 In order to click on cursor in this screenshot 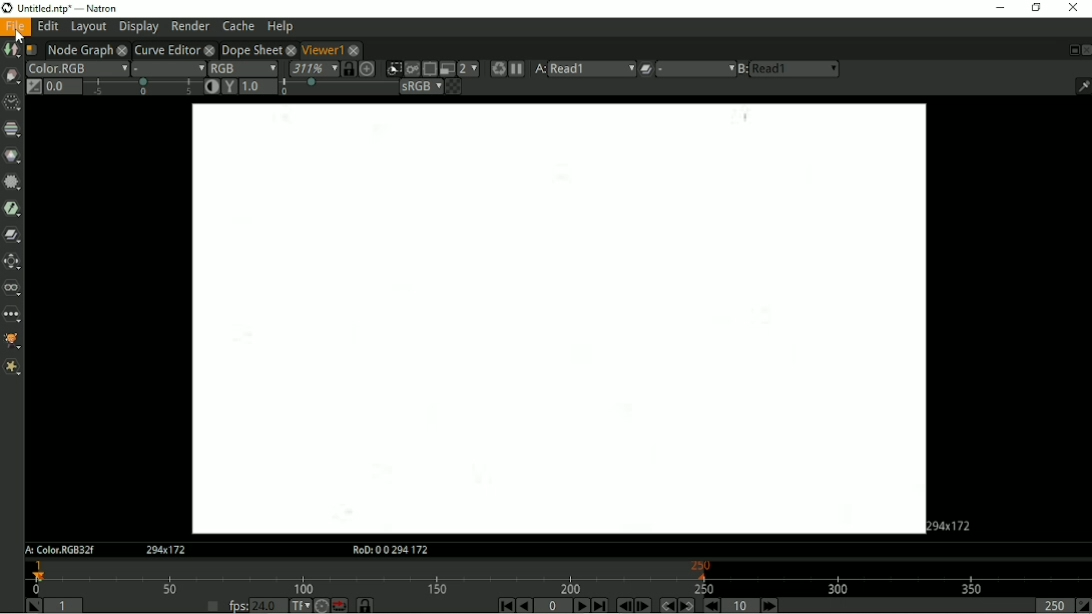, I will do `click(22, 37)`.